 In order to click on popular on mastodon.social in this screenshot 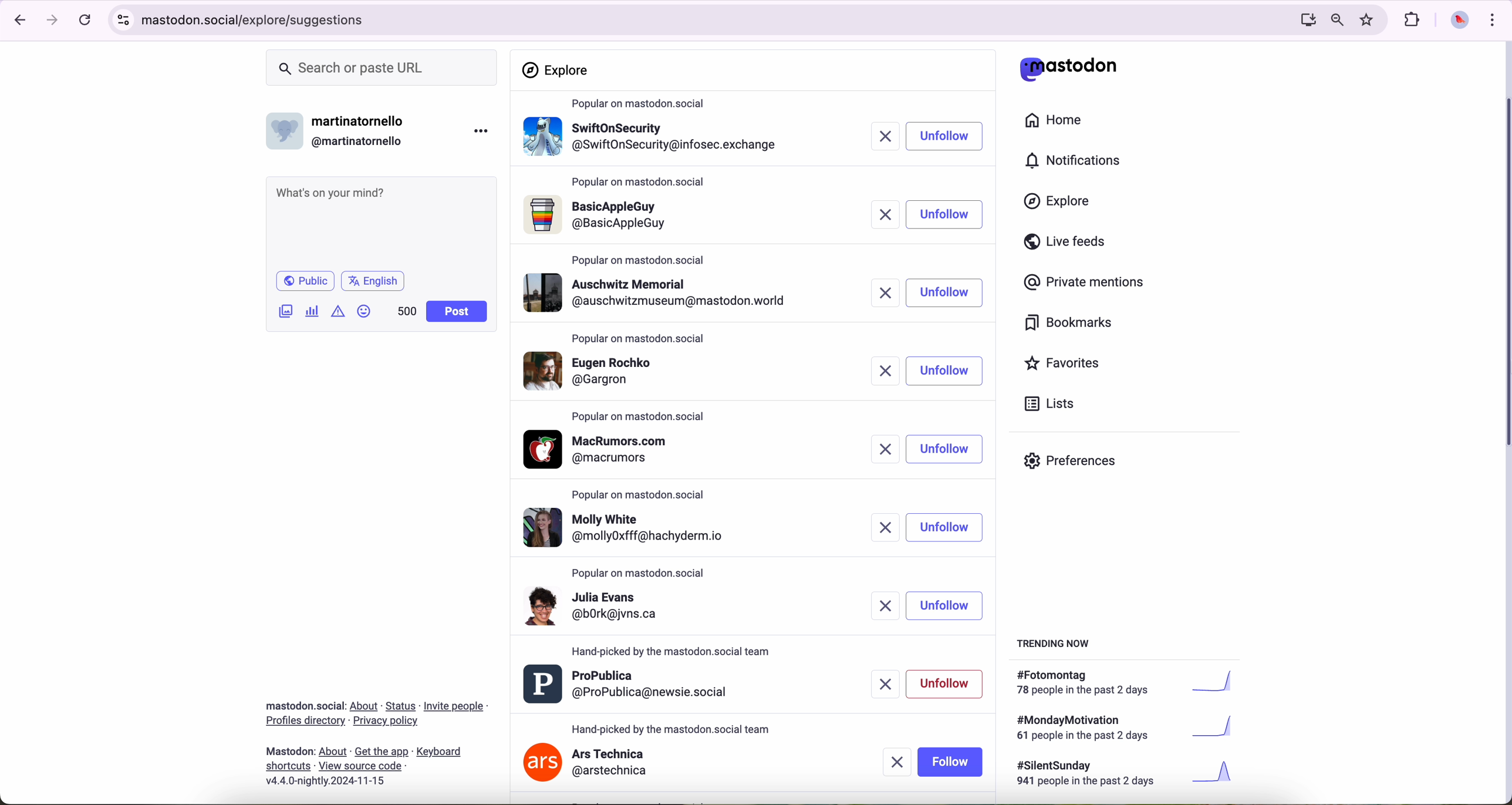, I will do `click(644, 574)`.